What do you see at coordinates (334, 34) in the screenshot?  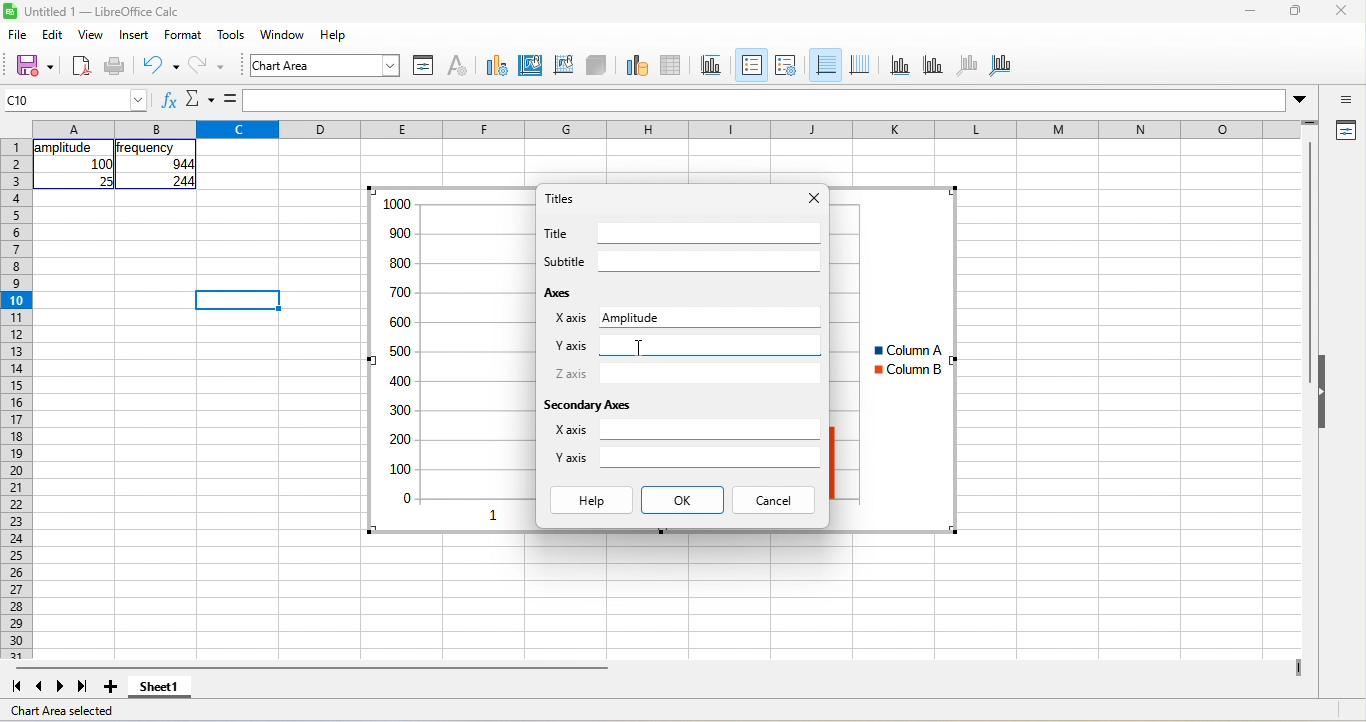 I see `help` at bounding box center [334, 34].